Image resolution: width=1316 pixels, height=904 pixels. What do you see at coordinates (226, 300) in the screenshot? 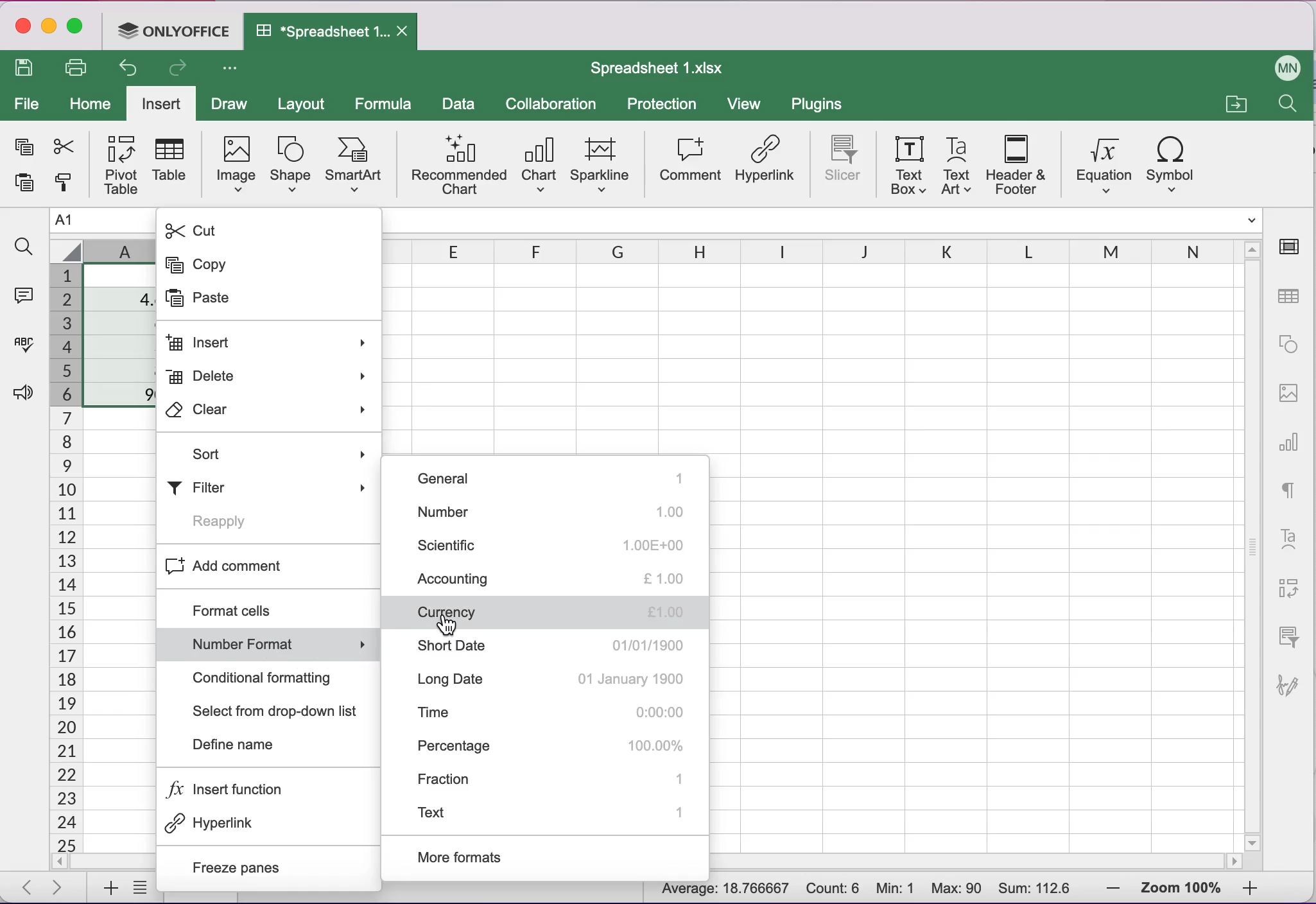
I see `Paste` at bounding box center [226, 300].